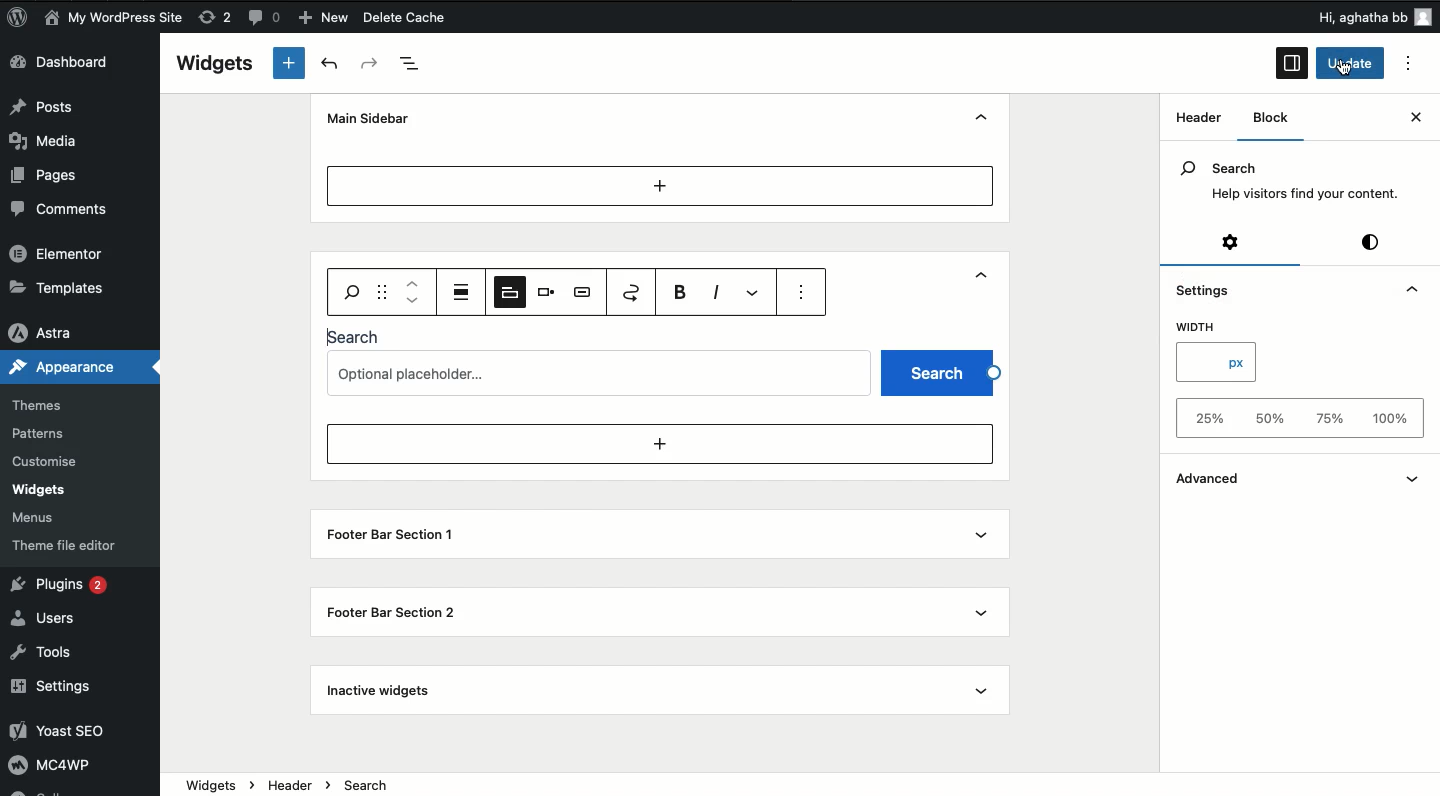  What do you see at coordinates (65, 541) in the screenshot?
I see `Theme file editor` at bounding box center [65, 541].